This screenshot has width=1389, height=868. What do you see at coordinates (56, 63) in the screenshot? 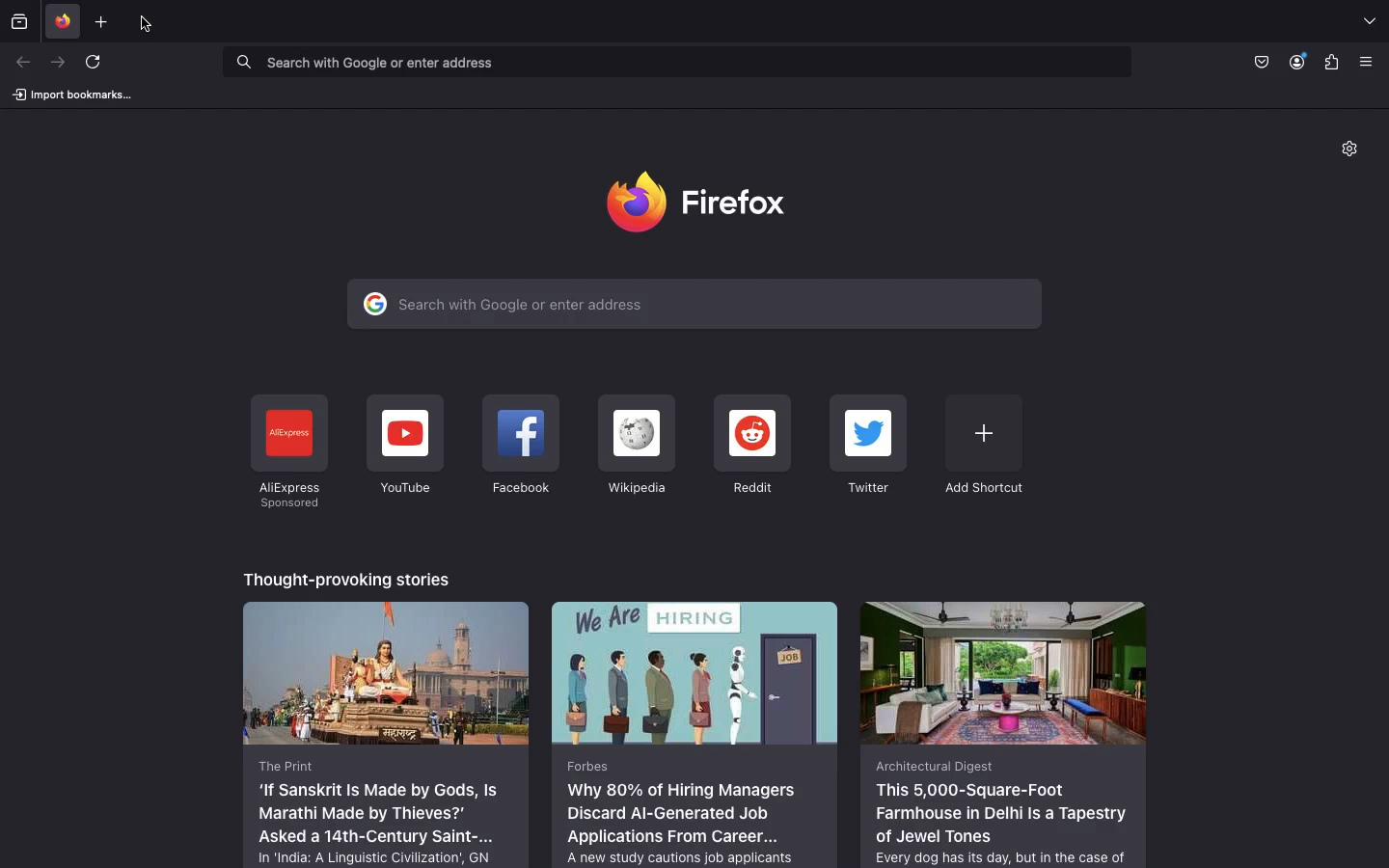
I see `Next page` at bounding box center [56, 63].